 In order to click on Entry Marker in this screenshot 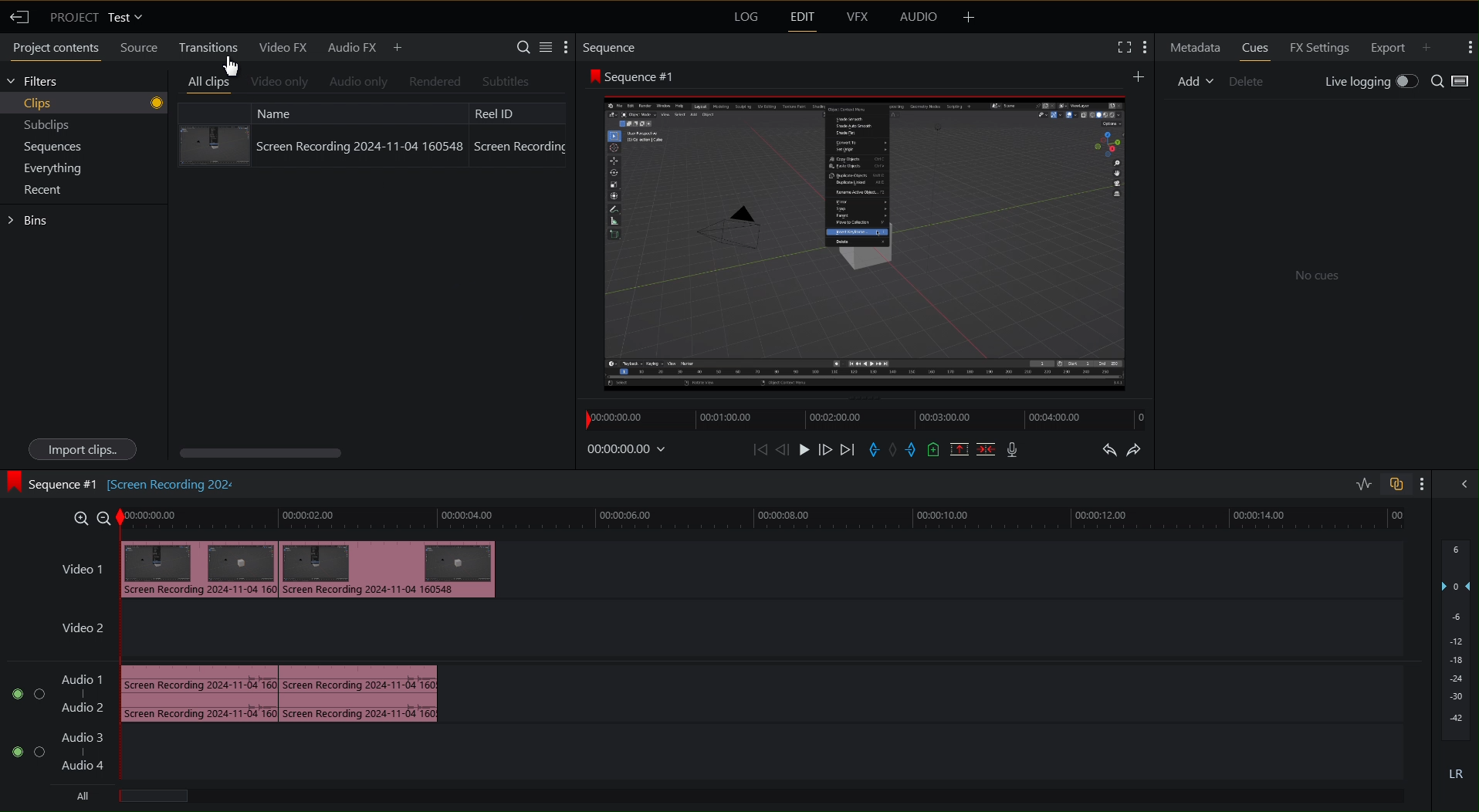, I will do `click(873, 450)`.